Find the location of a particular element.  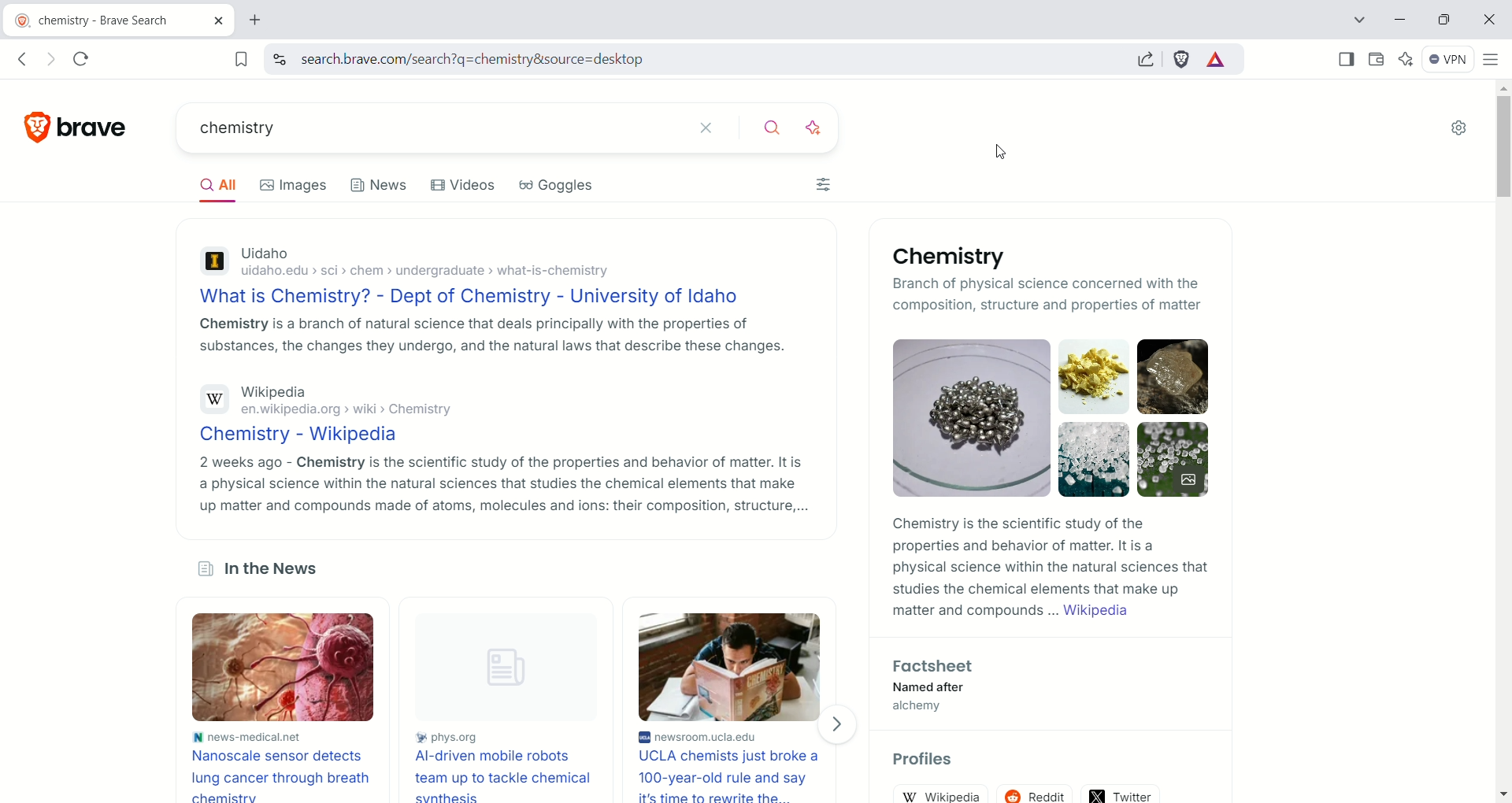

view site information is located at coordinates (279, 59).